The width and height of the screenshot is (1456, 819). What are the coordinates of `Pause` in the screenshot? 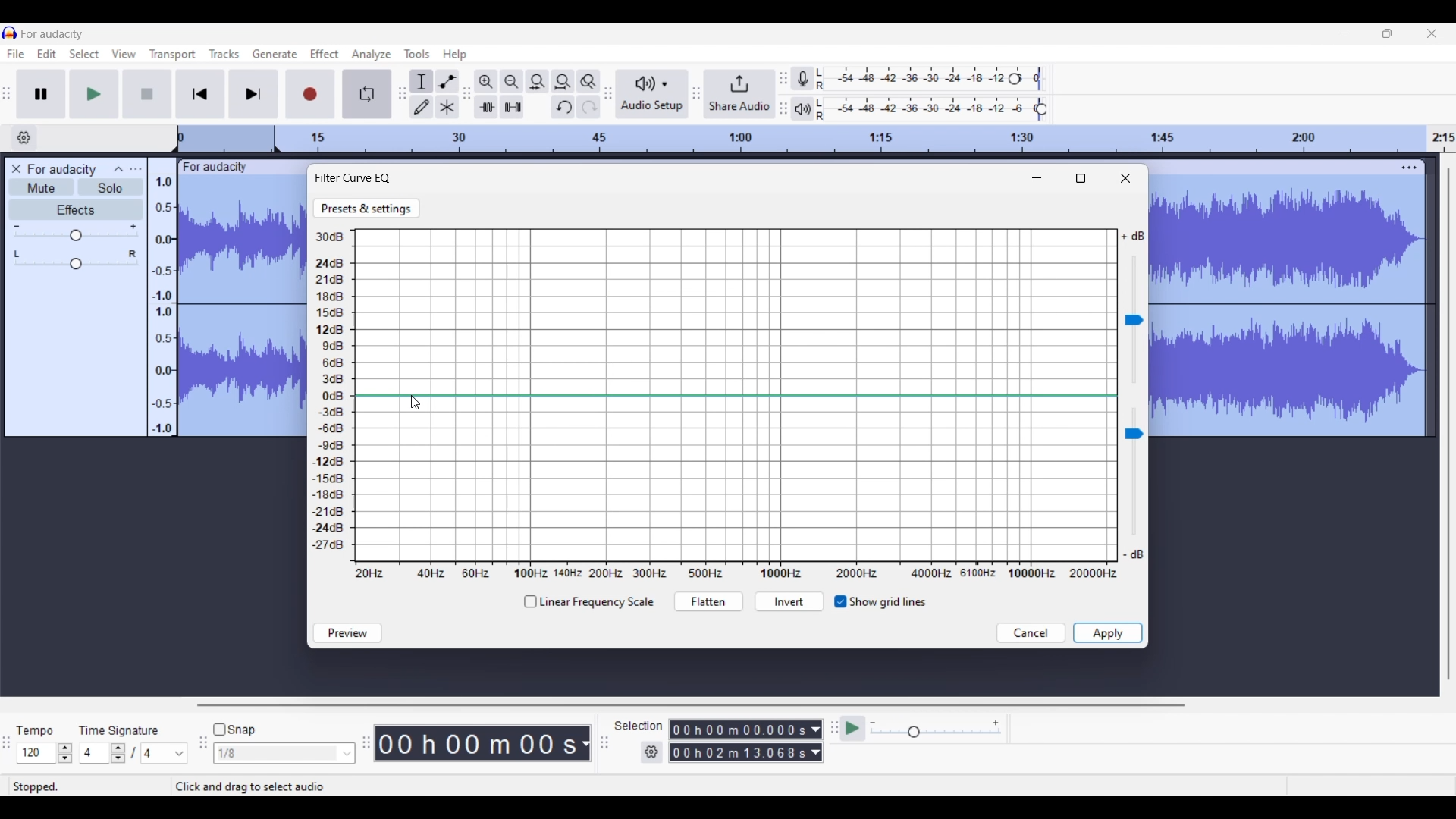 It's located at (41, 93).